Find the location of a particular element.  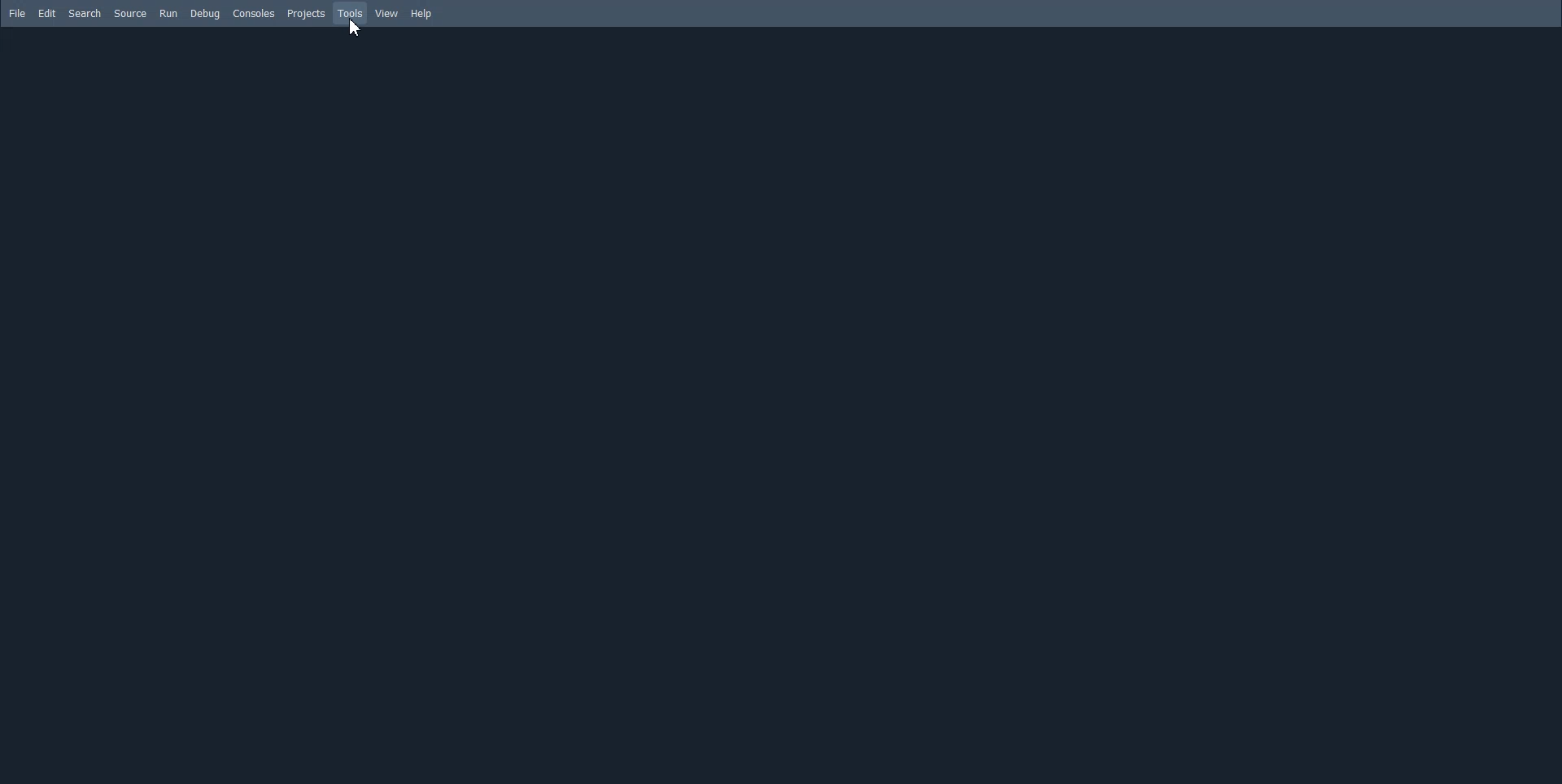

Search is located at coordinates (85, 14).